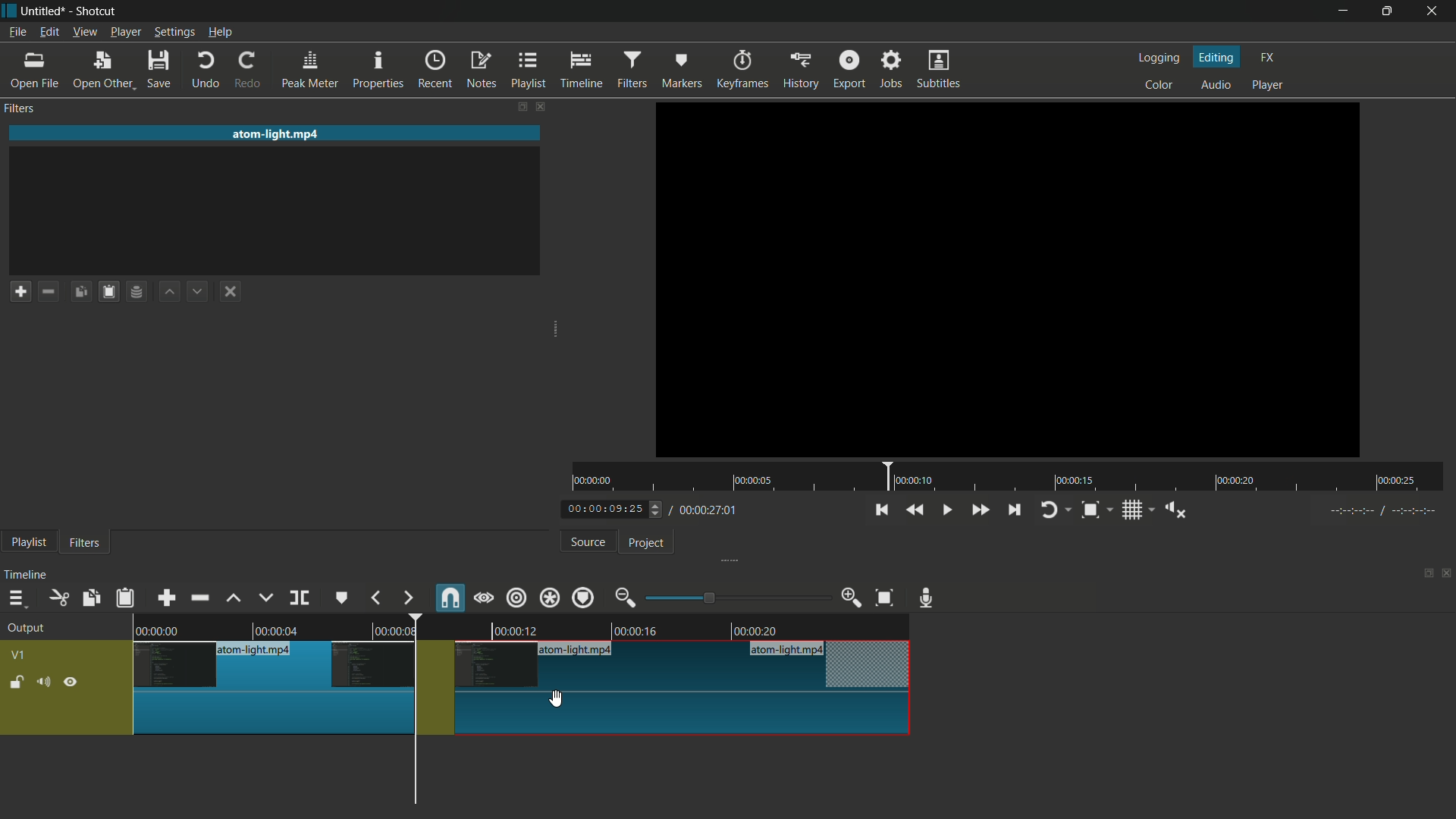 The width and height of the screenshot is (1456, 819). Describe the element at coordinates (97, 11) in the screenshot. I see `app name` at that location.